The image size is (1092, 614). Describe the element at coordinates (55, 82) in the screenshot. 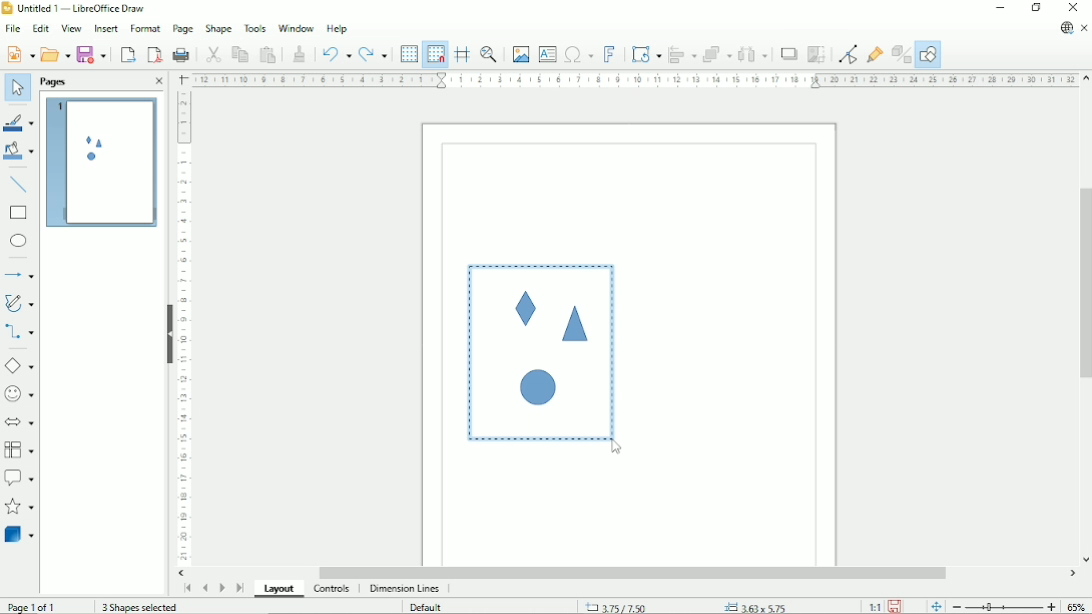

I see `Pages` at that location.